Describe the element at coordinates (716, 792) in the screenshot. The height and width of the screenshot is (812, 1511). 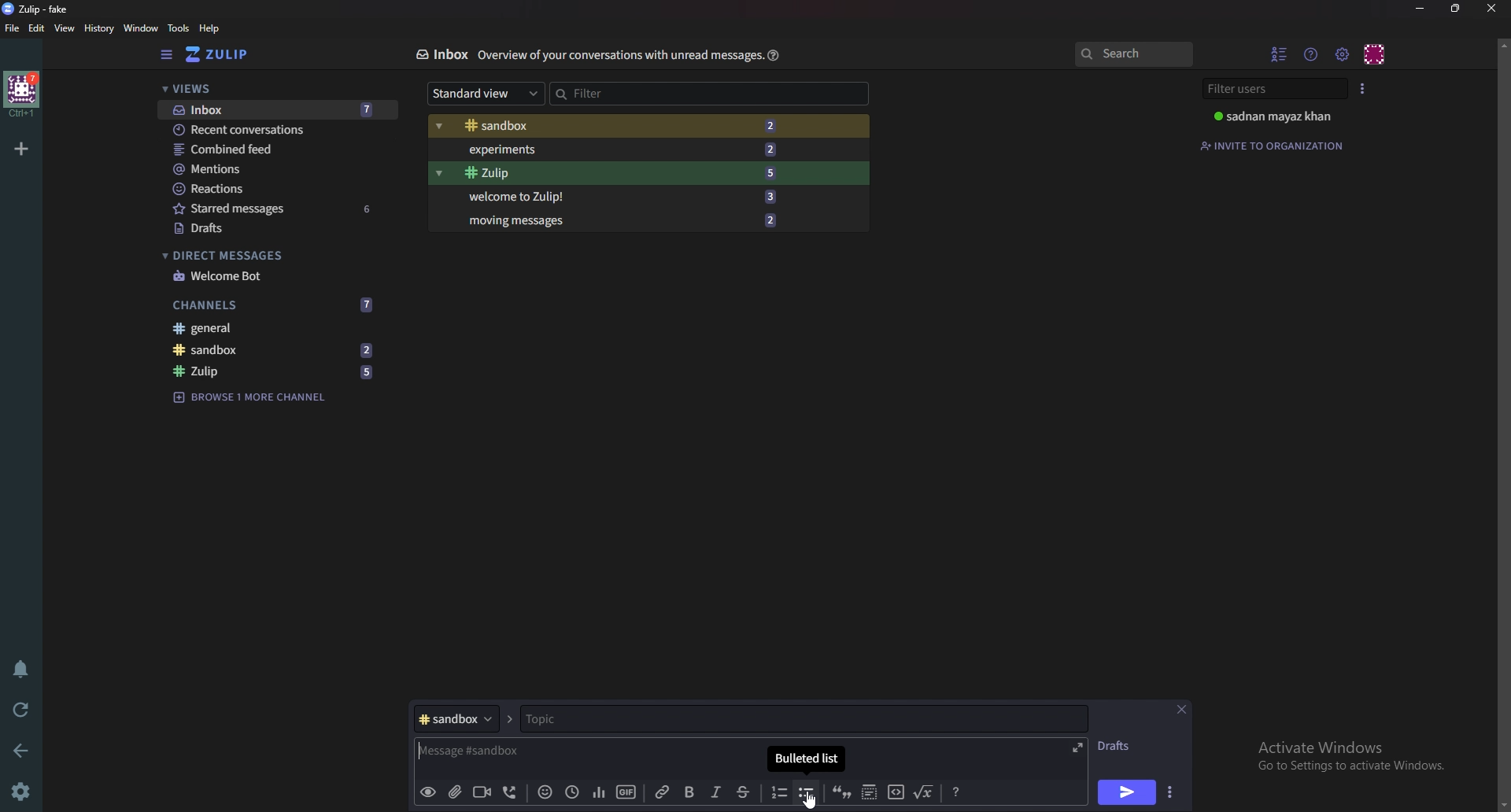
I see `Italic` at that location.